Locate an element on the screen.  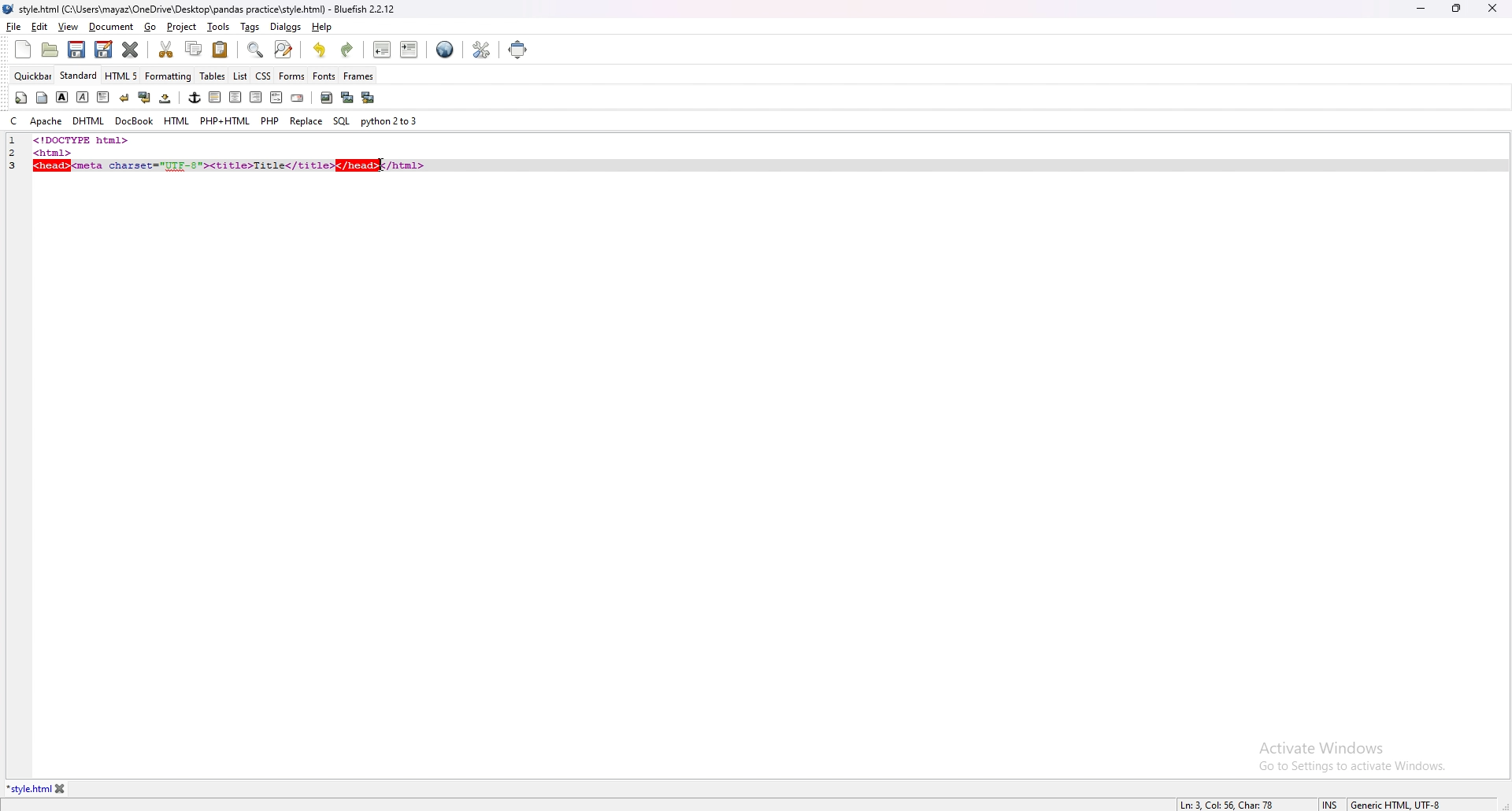
multi thumbnail is located at coordinates (367, 97).